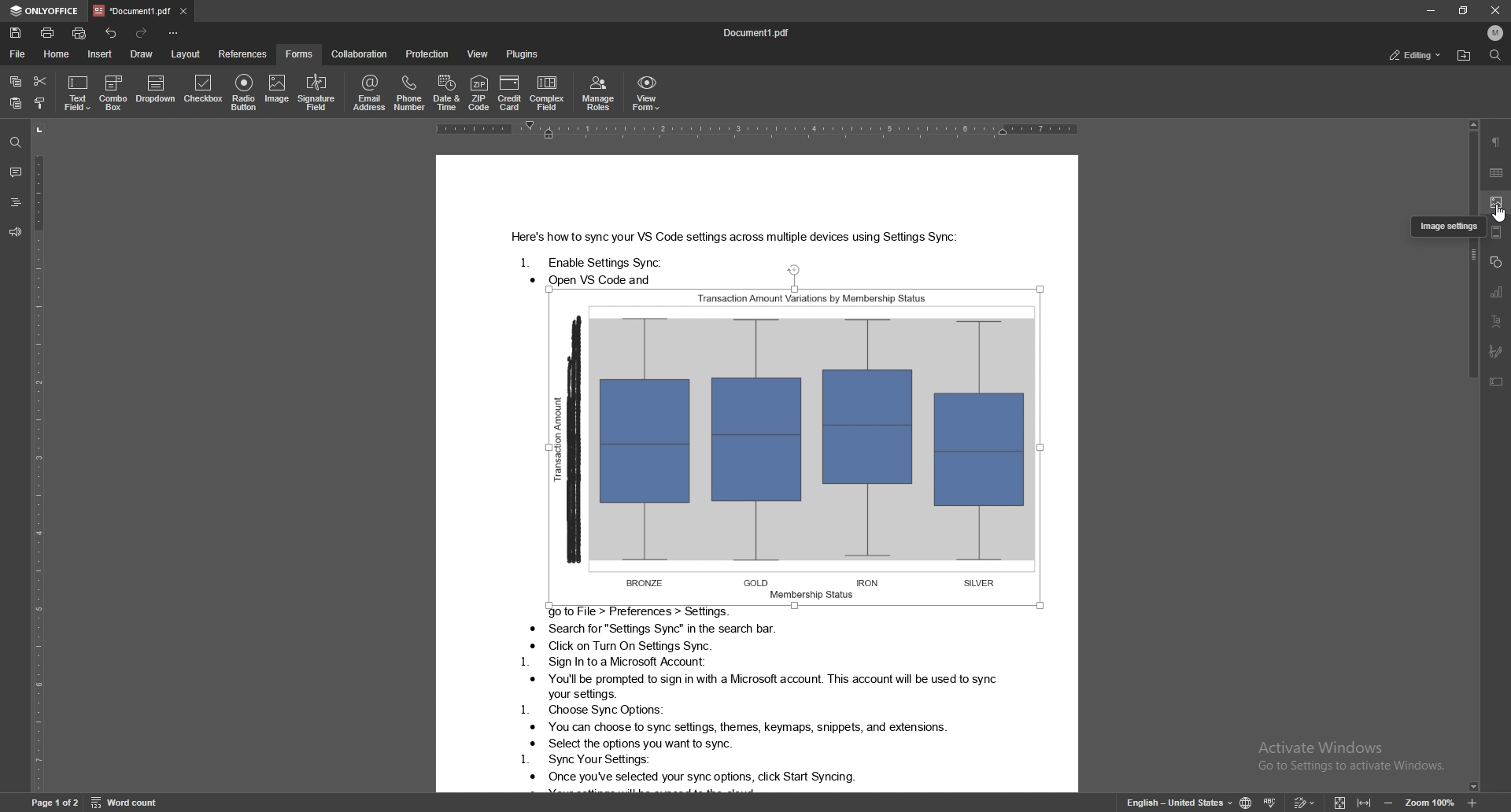 The image size is (1511, 812). What do you see at coordinates (15, 103) in the screenshot?
I see `paste` at bounding box center [15, 103].